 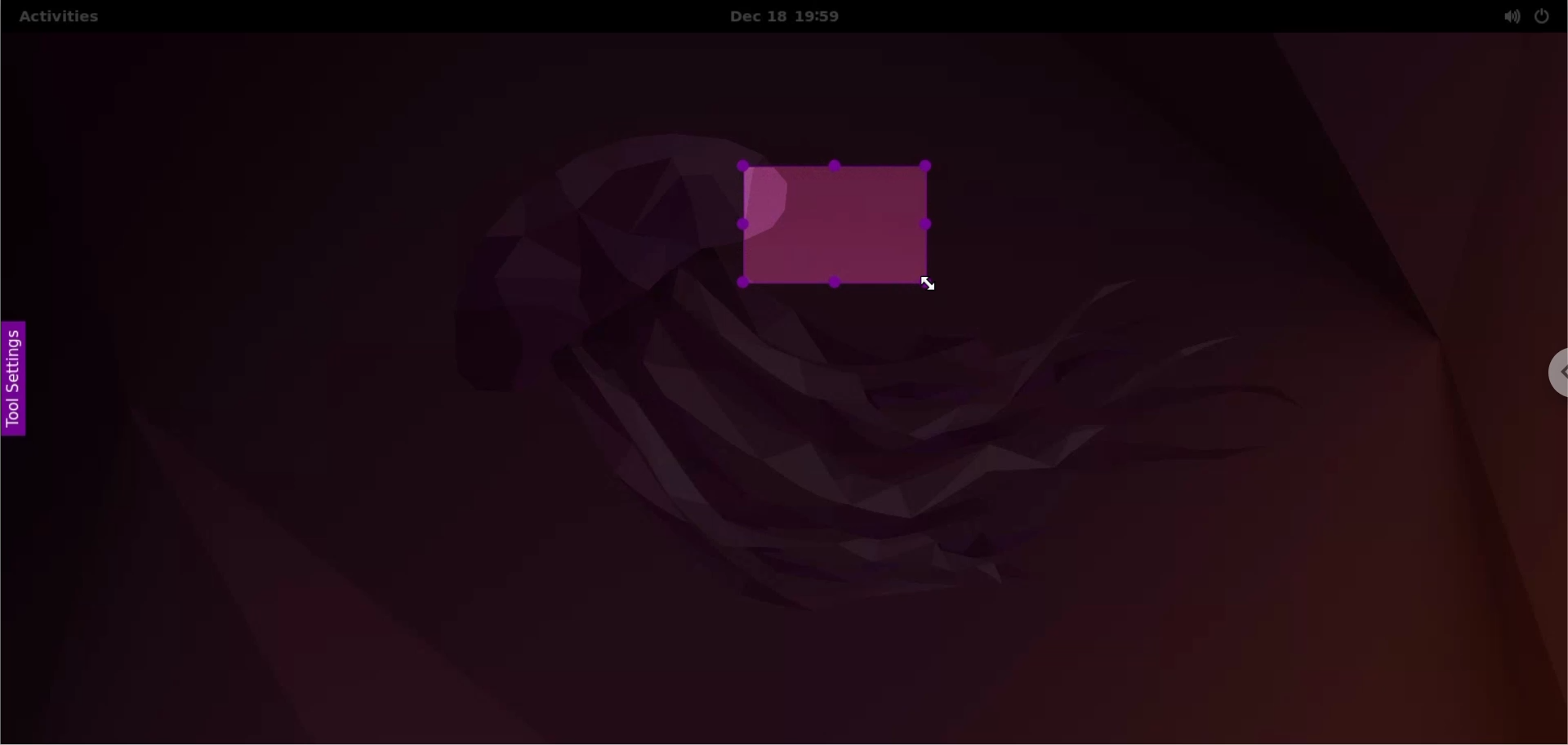 I want to click on selected area, so click(x=839, y=226).